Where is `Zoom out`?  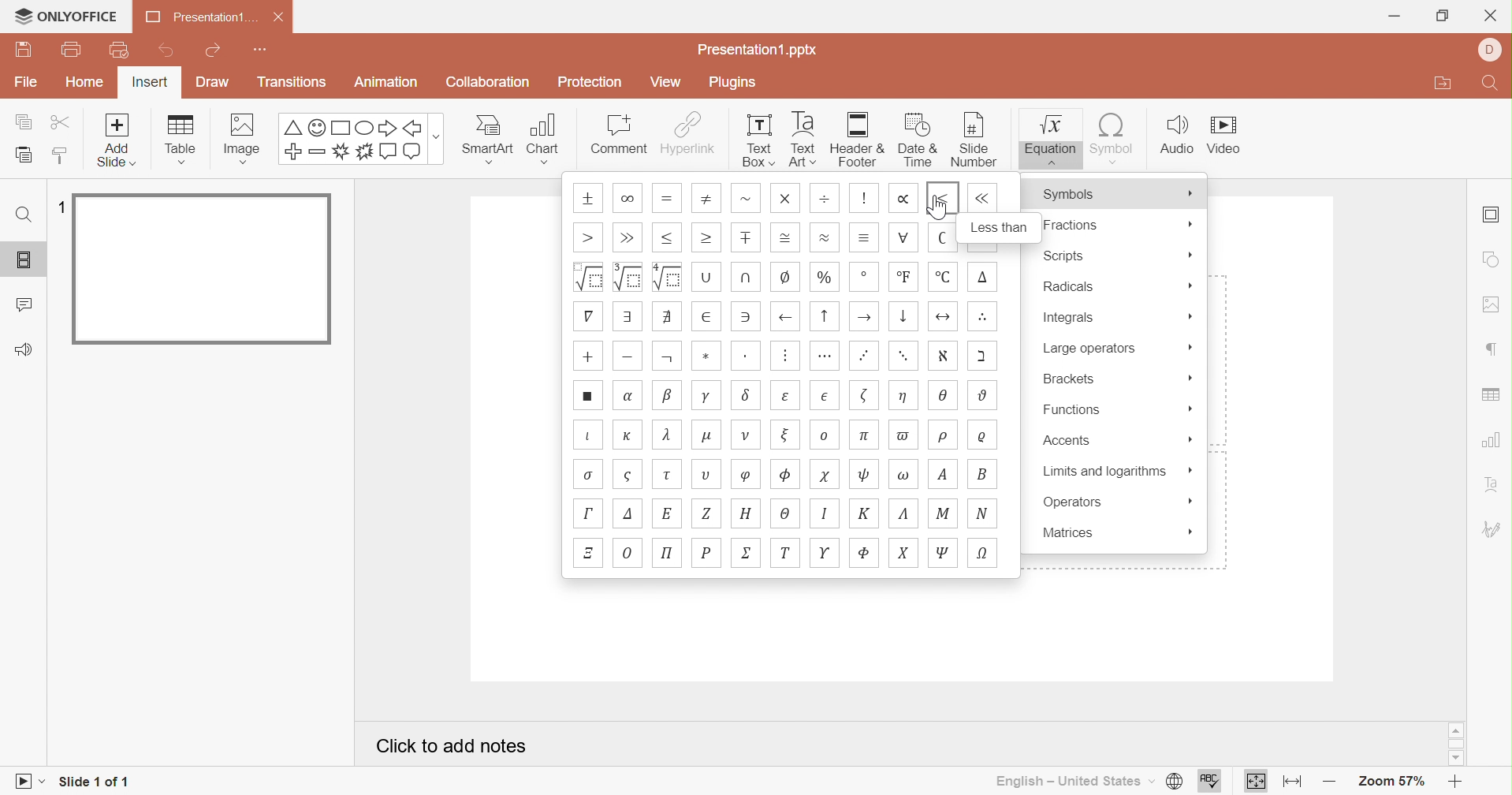 Zoom out is located at coordinates (1329, 778).